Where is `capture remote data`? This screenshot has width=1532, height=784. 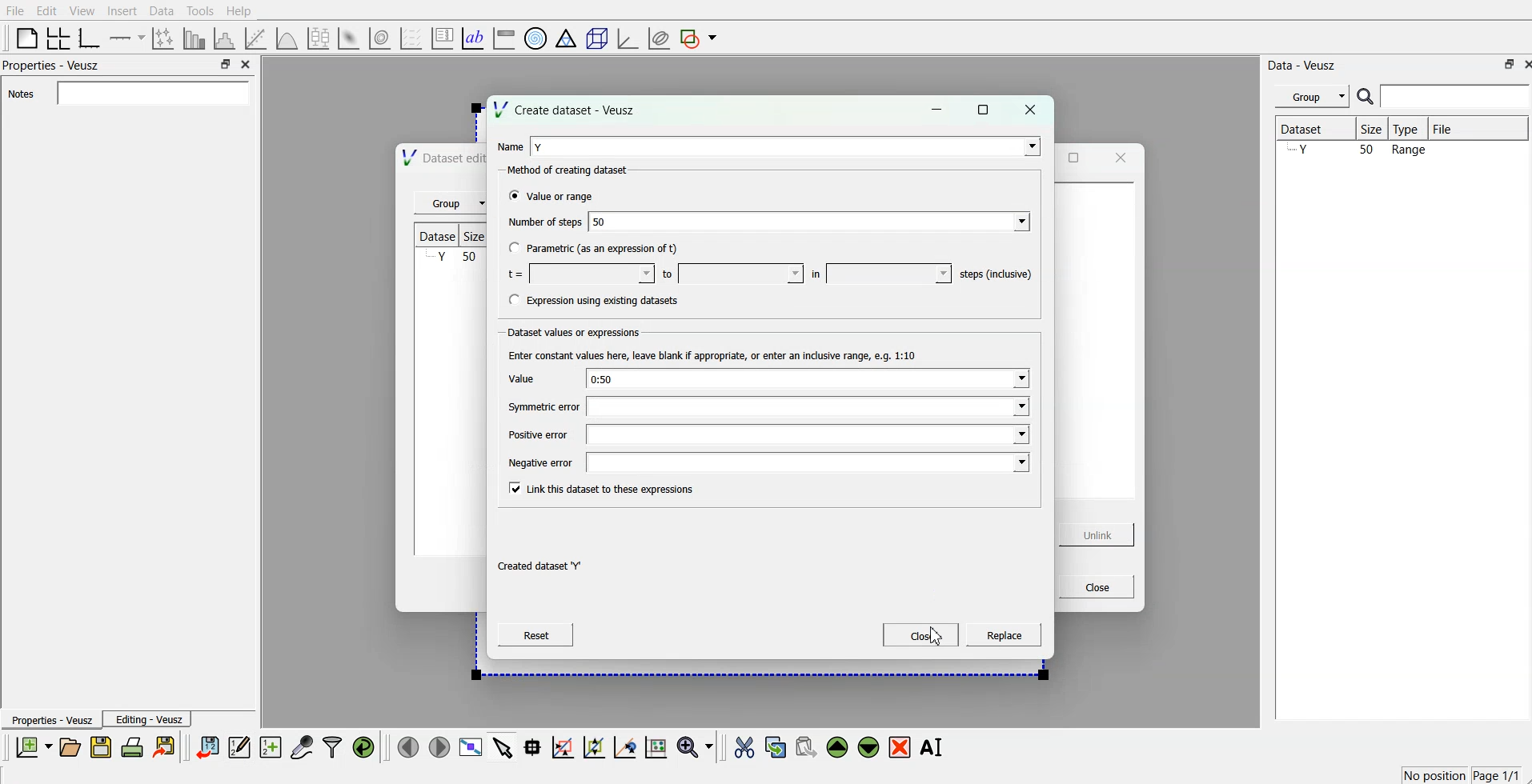
capture remote data is located at coordinates (301, 748).